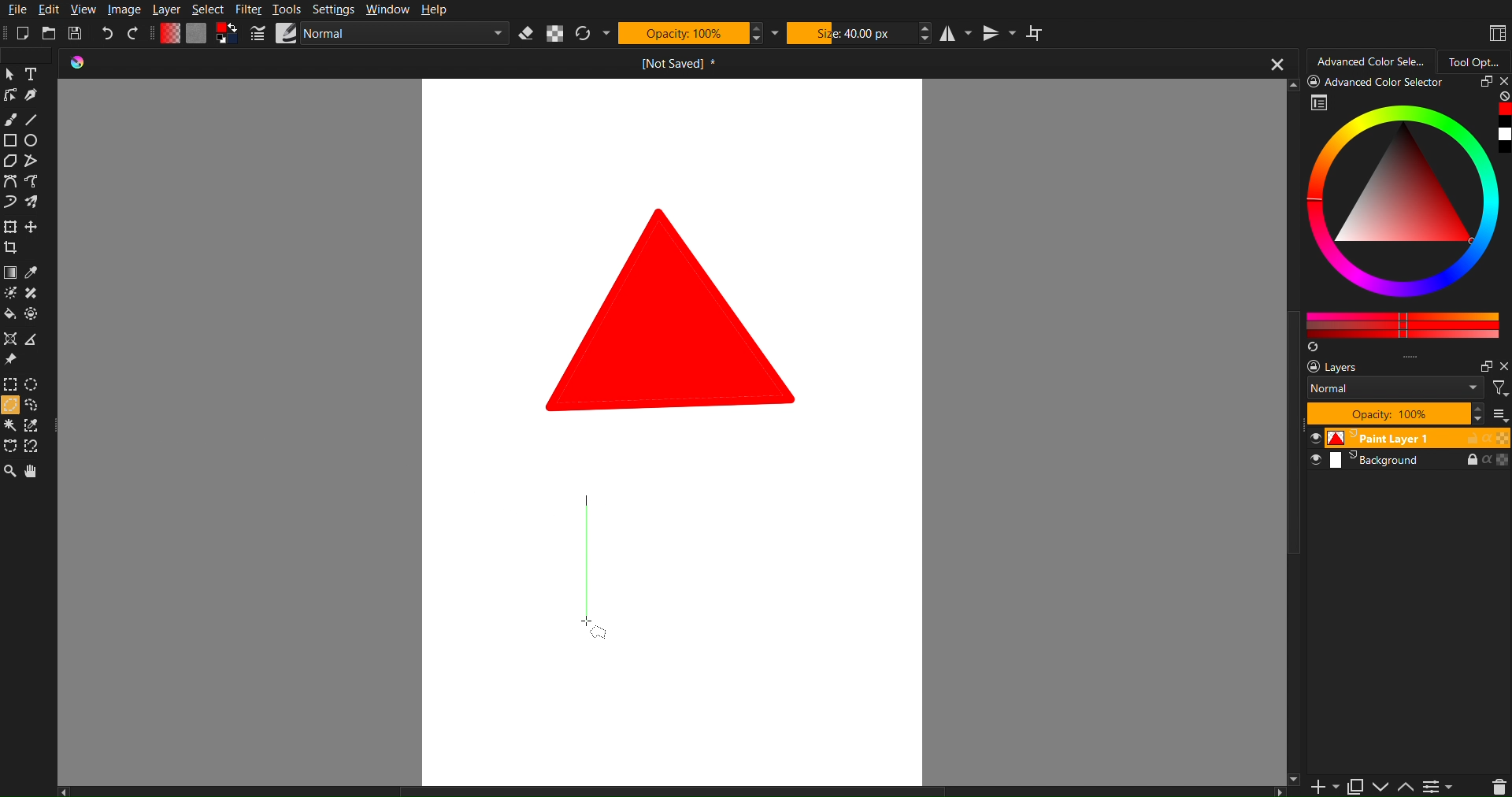 The height and width of the screenshot is (797, 1512). Describe the element at coordinates (1479, 60) in the screenshot. I see `Tool Options` at that location.